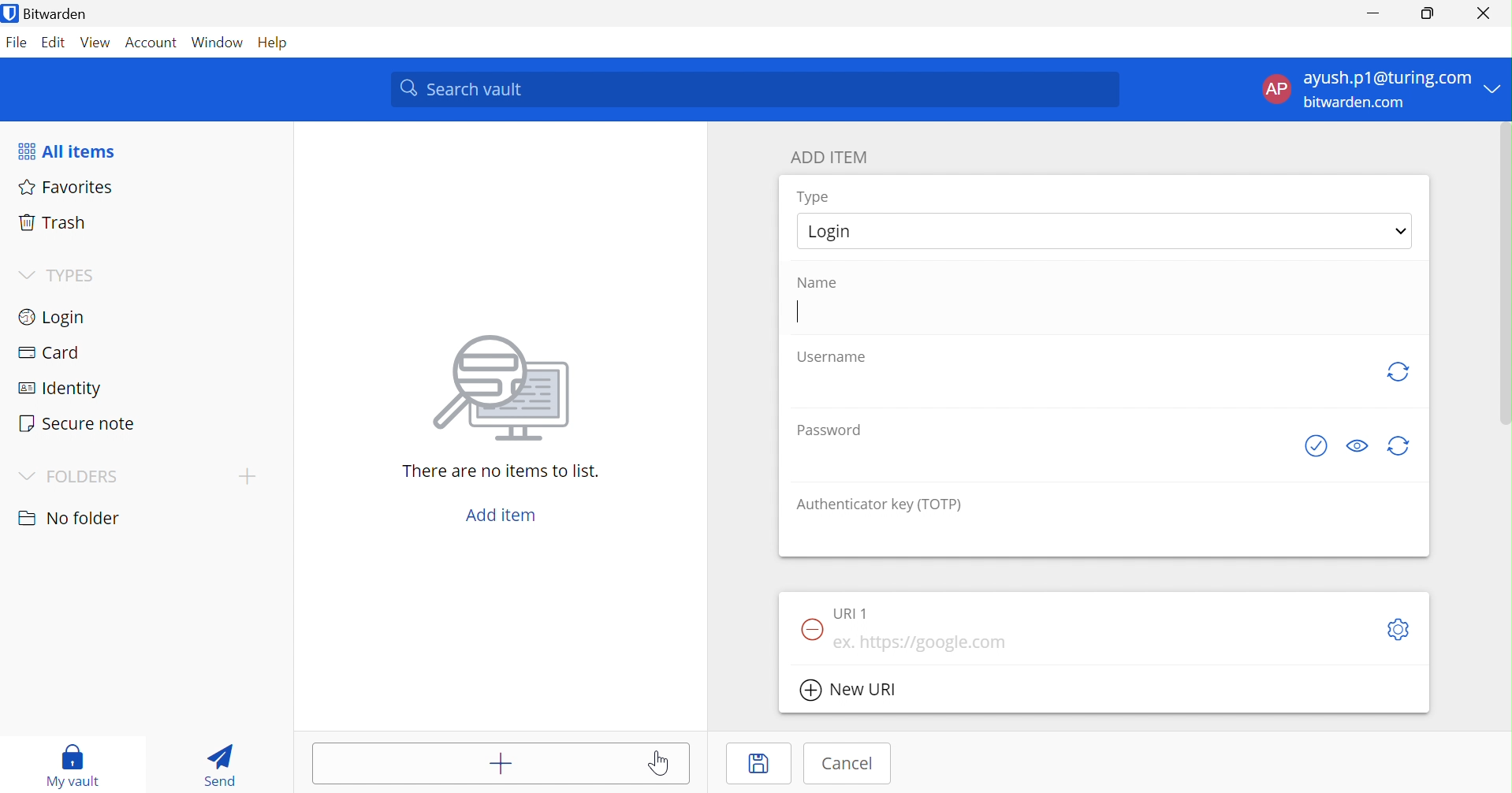 The height and width of the screenshot is (793, 1512). I want to click on View, so click(95, 45).